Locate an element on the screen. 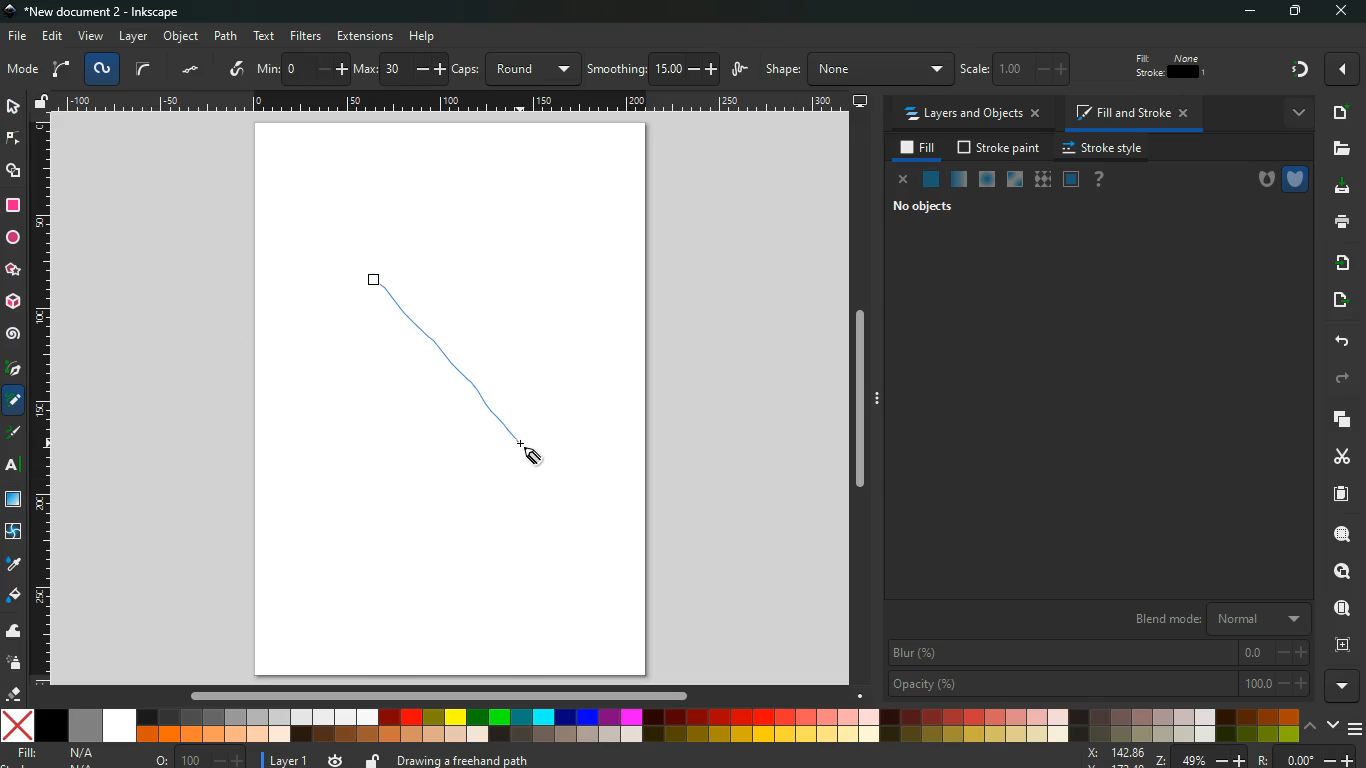 This screenshot has height=768, width=1366. ice is located at coordinates (987, 178).